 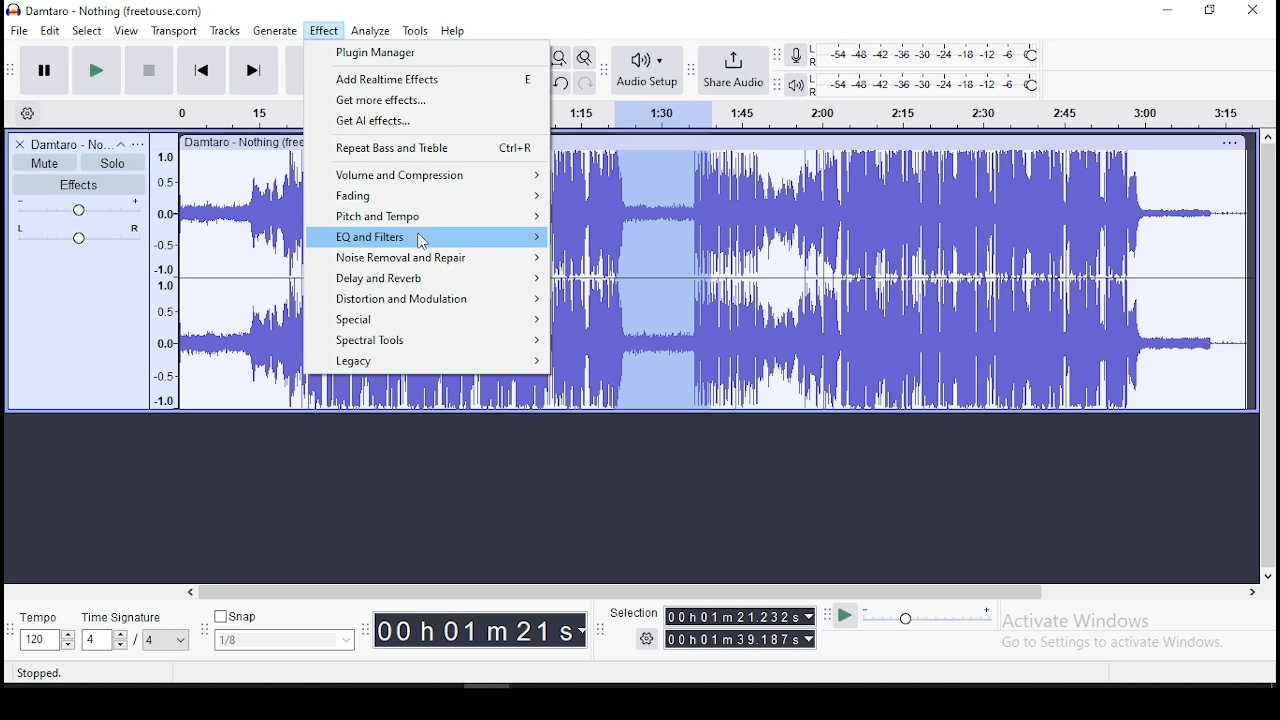 What do you see at coordinates (21, 144) in the screenshot?
I see `delete track` at bounding box center [21, 144].